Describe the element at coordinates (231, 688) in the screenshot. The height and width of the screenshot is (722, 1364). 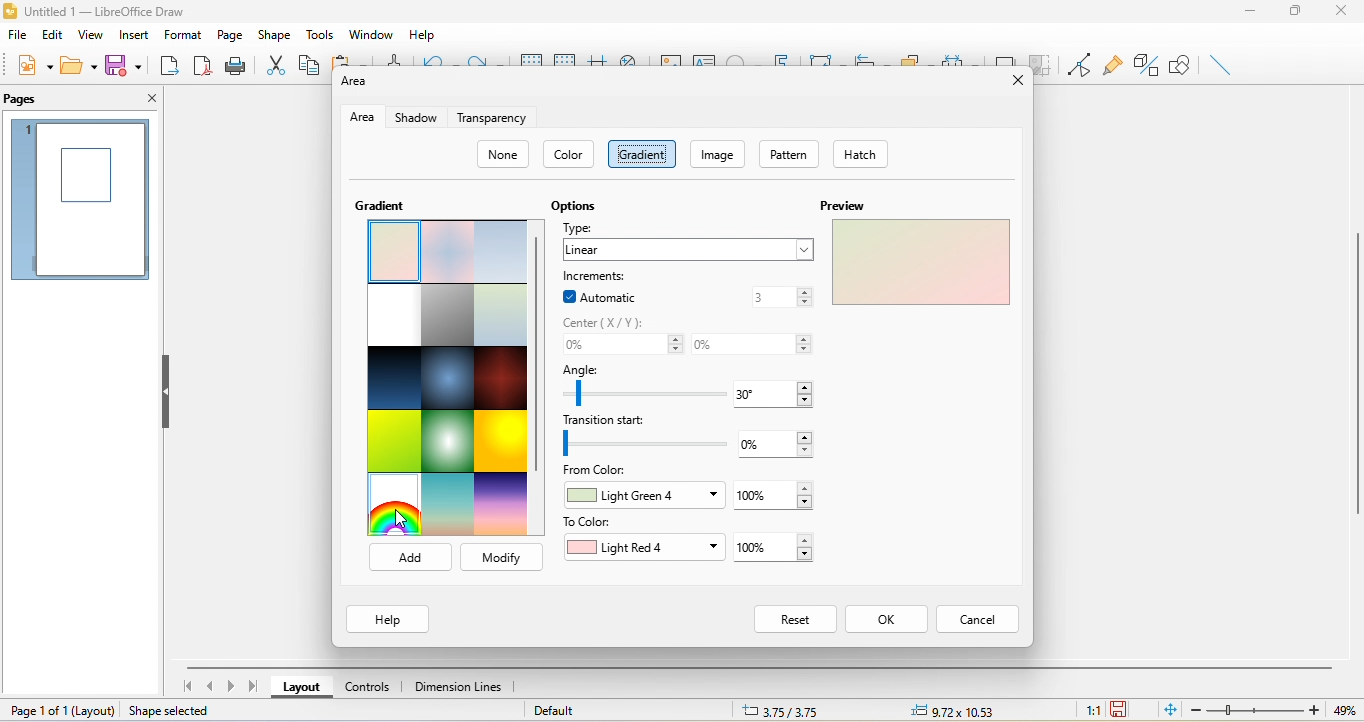
I see `next page` at that location.